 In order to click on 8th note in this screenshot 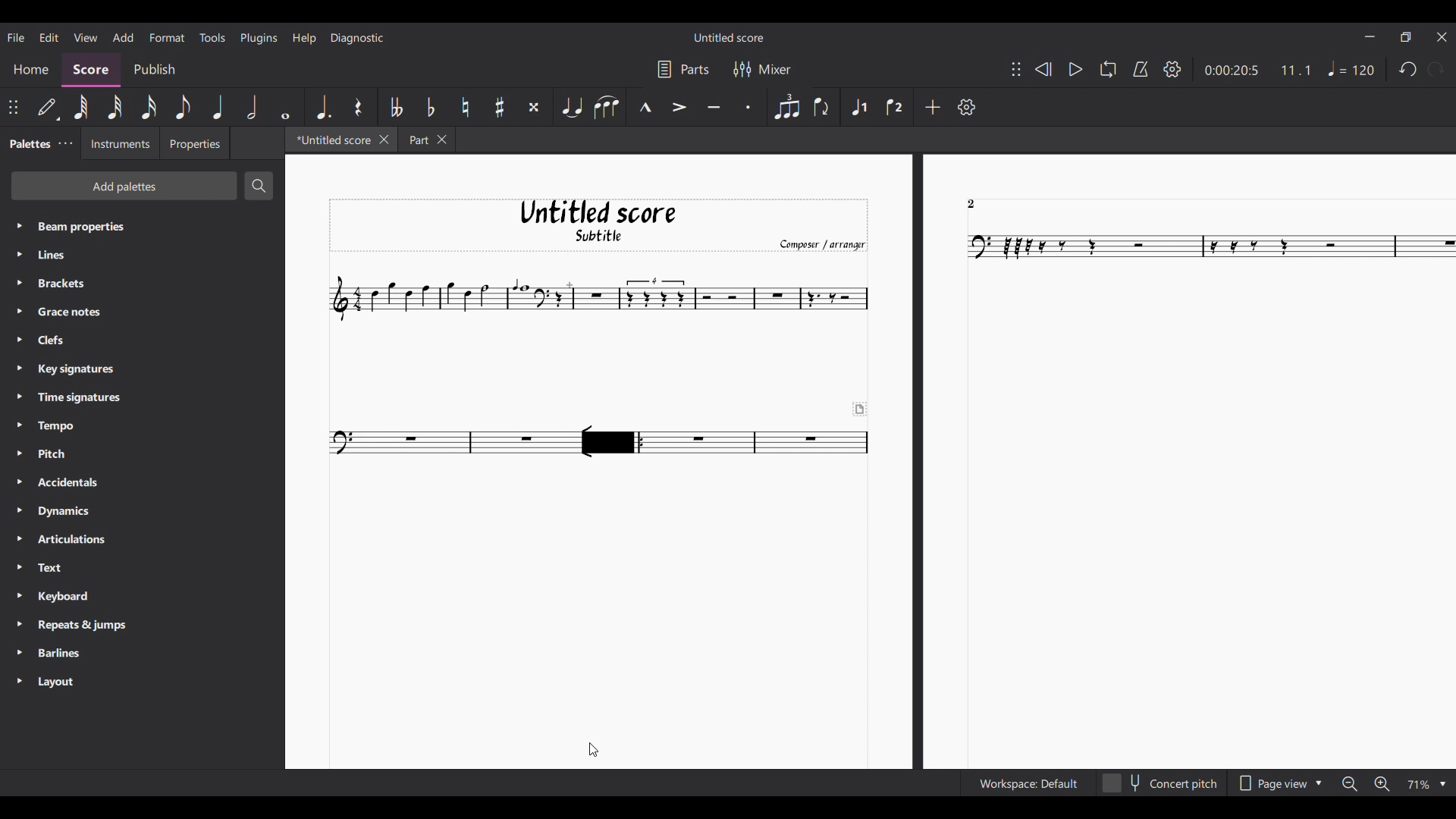, I will do `click(184, 107)`.